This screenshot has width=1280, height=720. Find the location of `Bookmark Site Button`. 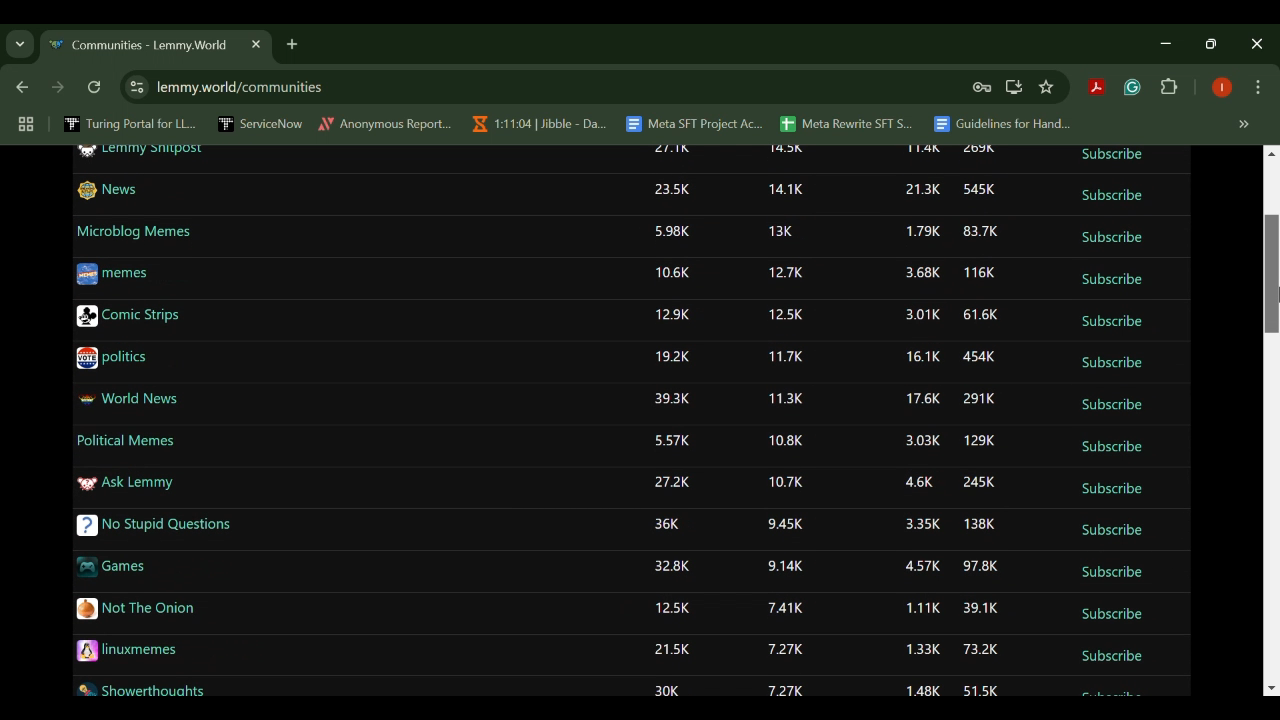

Bookmark Site Button is located at coordinates (1046, 88).